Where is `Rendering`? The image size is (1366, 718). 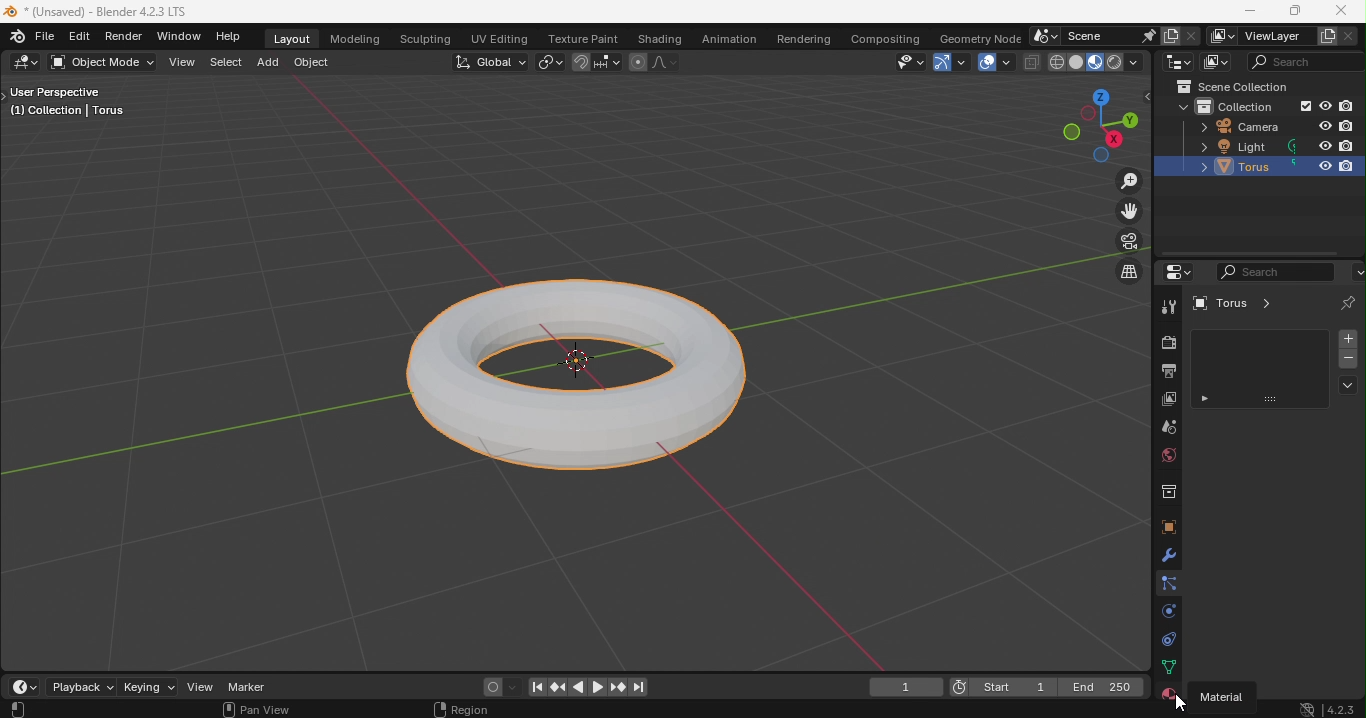 Rendering is located at coordinates (804, 37).